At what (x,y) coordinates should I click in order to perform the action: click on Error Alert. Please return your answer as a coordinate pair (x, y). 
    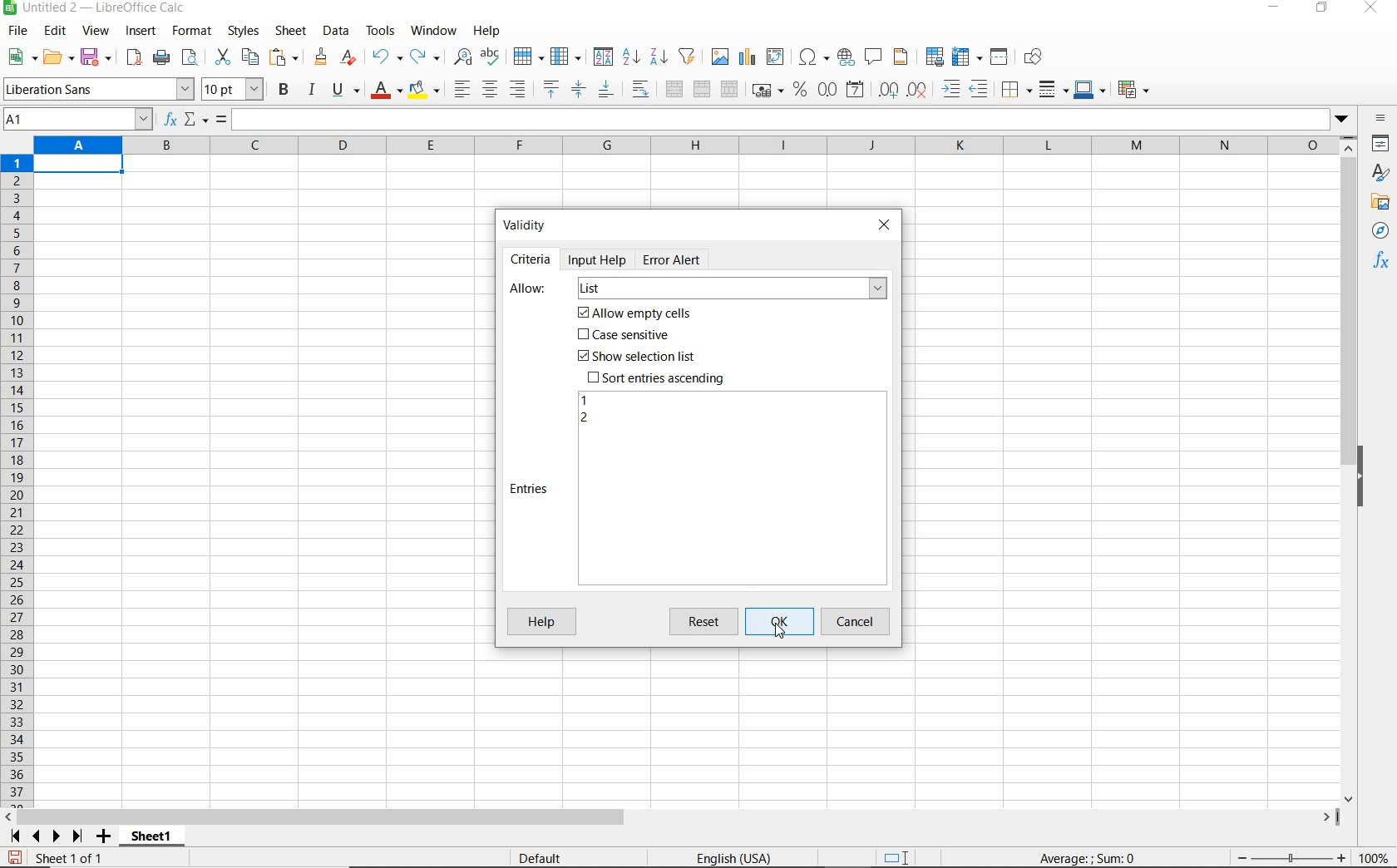
    Looking at the image, I should click on (681, 259).